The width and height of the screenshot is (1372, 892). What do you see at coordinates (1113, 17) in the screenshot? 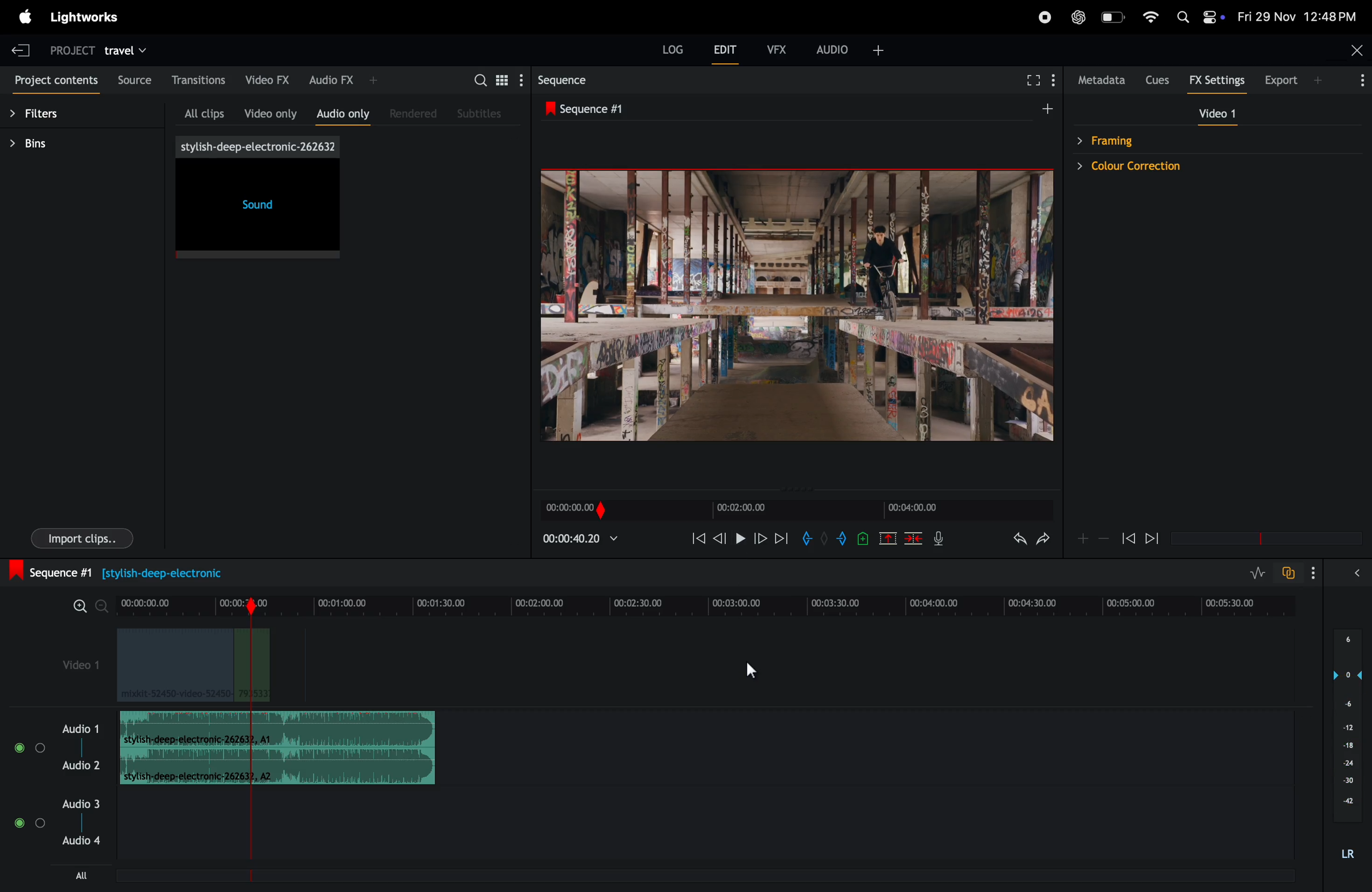
I see `battery` at bounding box center [1113, 17].